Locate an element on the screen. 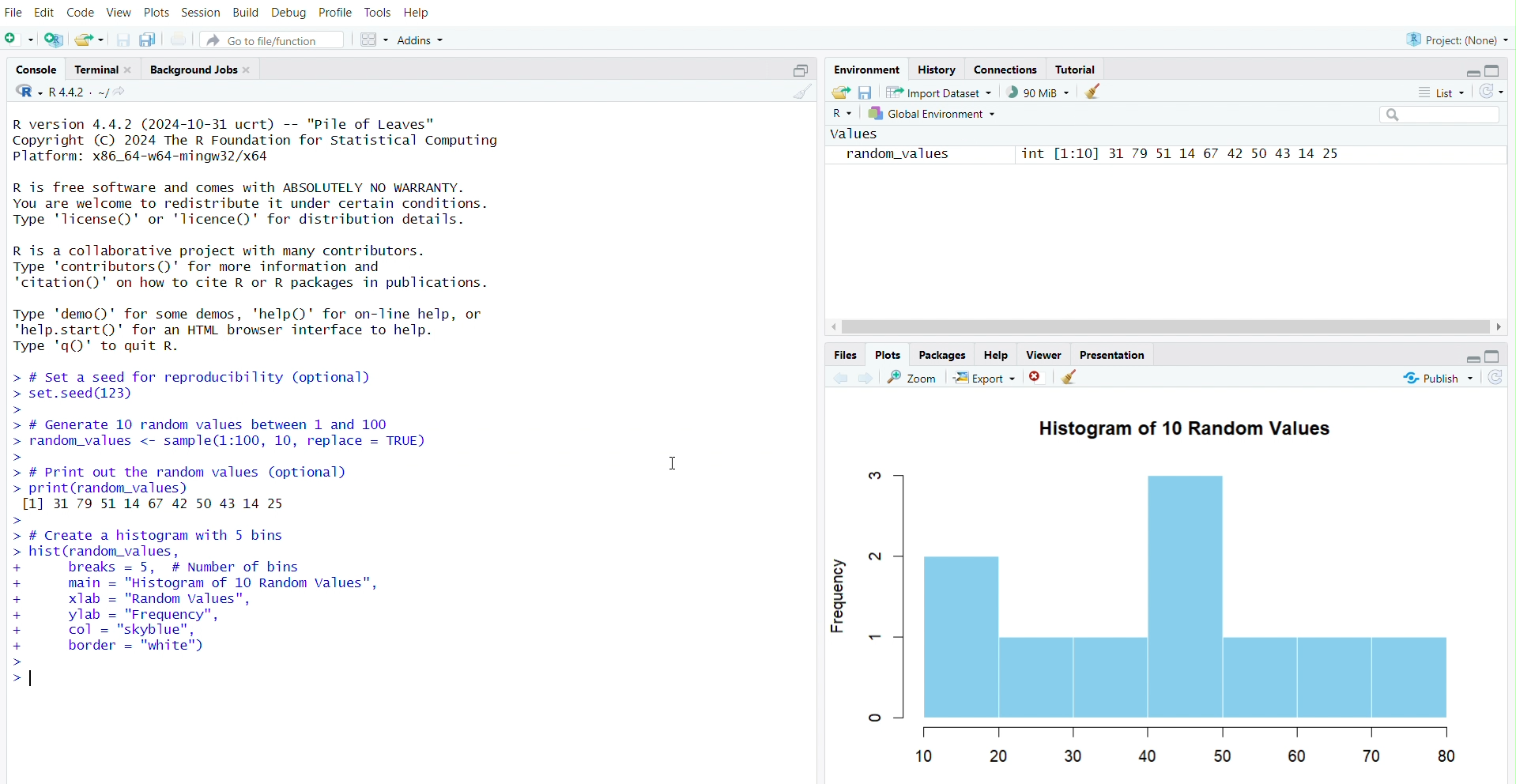 This screenshot has height=784, width=1516. Details of R and its license is located at coordinates (289, 203).